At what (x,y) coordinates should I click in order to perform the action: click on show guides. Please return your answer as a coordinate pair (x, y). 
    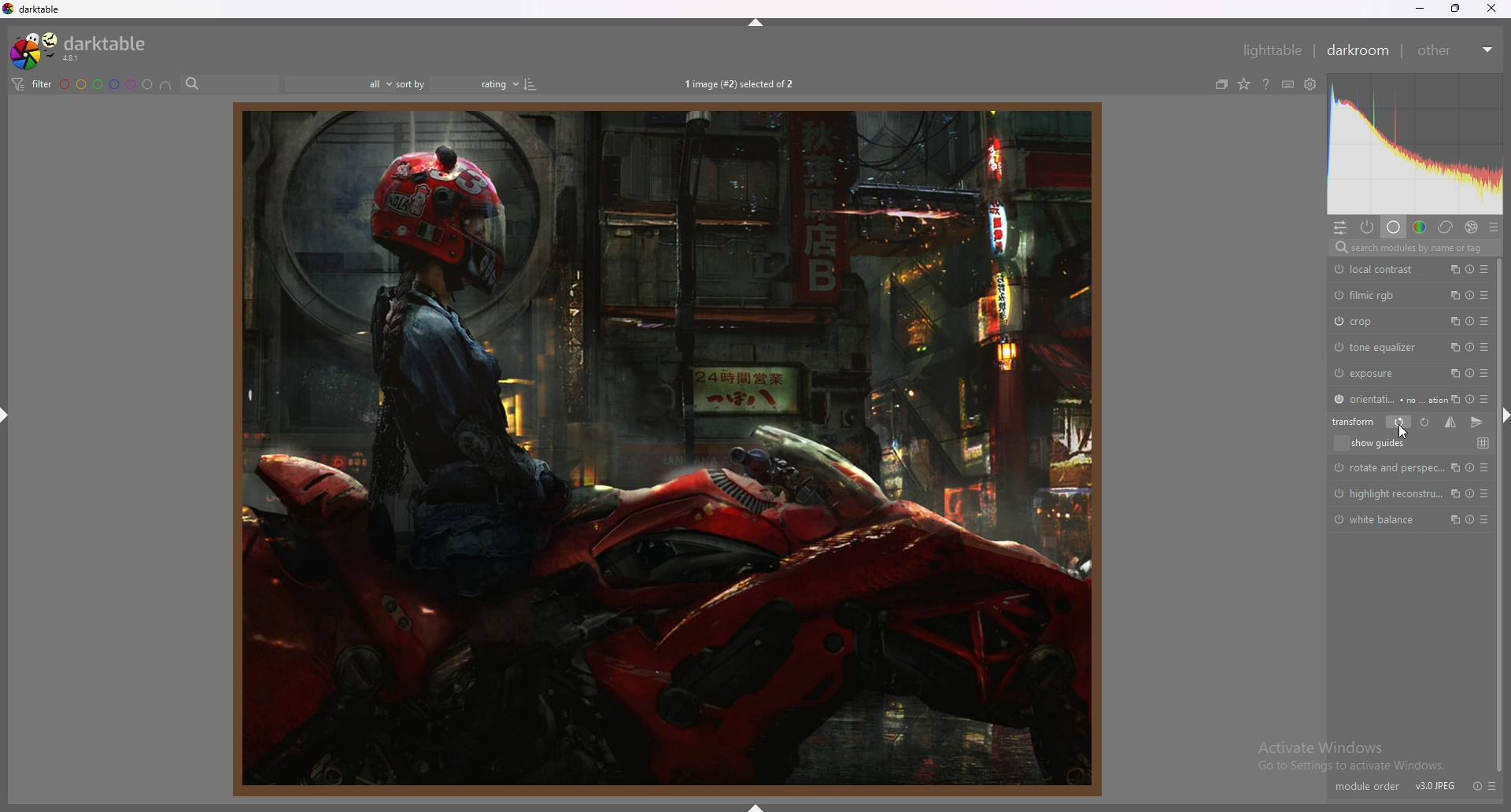
    Looking at the image, I should click on (1377, 444).